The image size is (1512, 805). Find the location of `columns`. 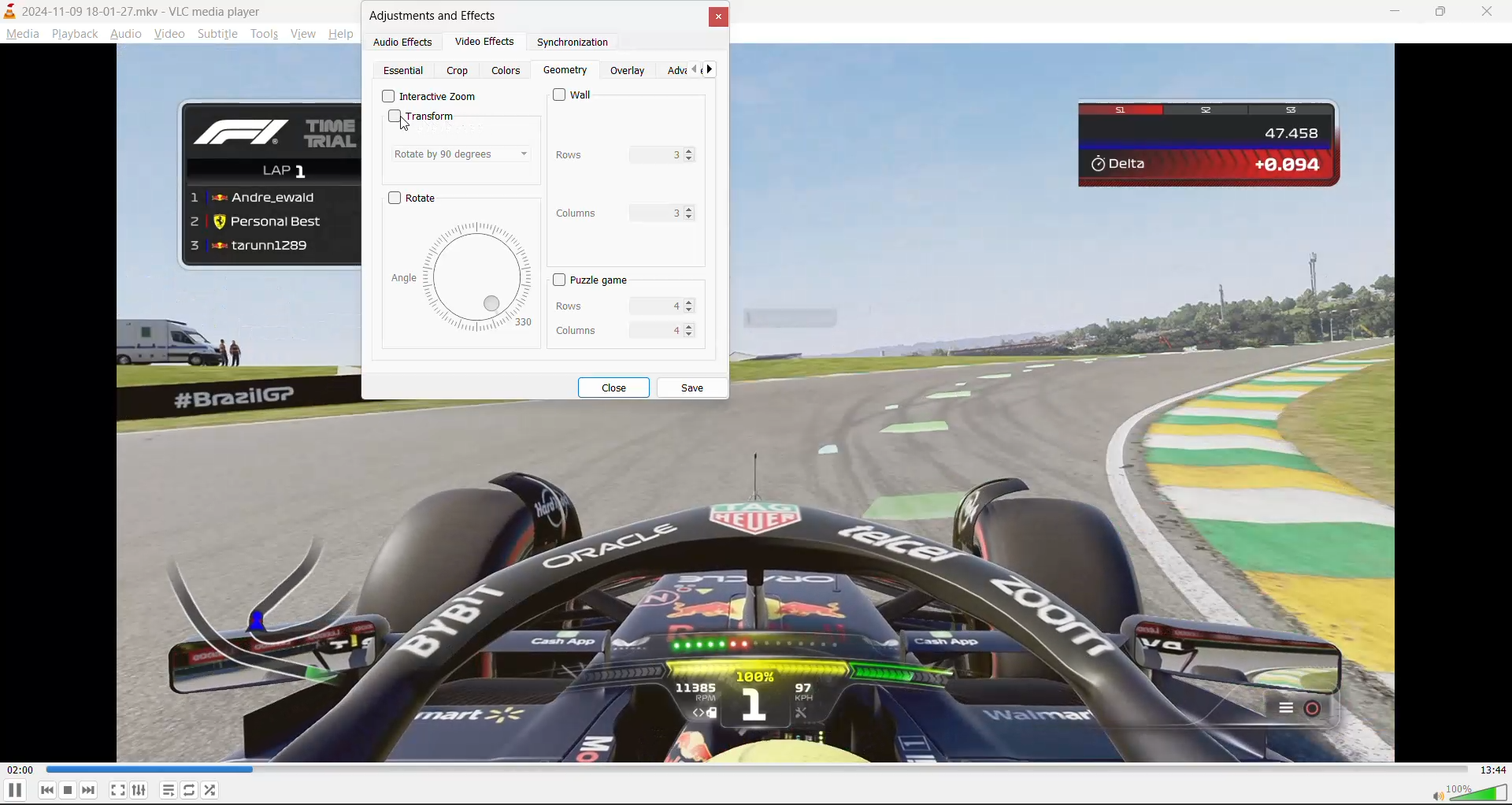

columns is located at coordinates (614, 327).